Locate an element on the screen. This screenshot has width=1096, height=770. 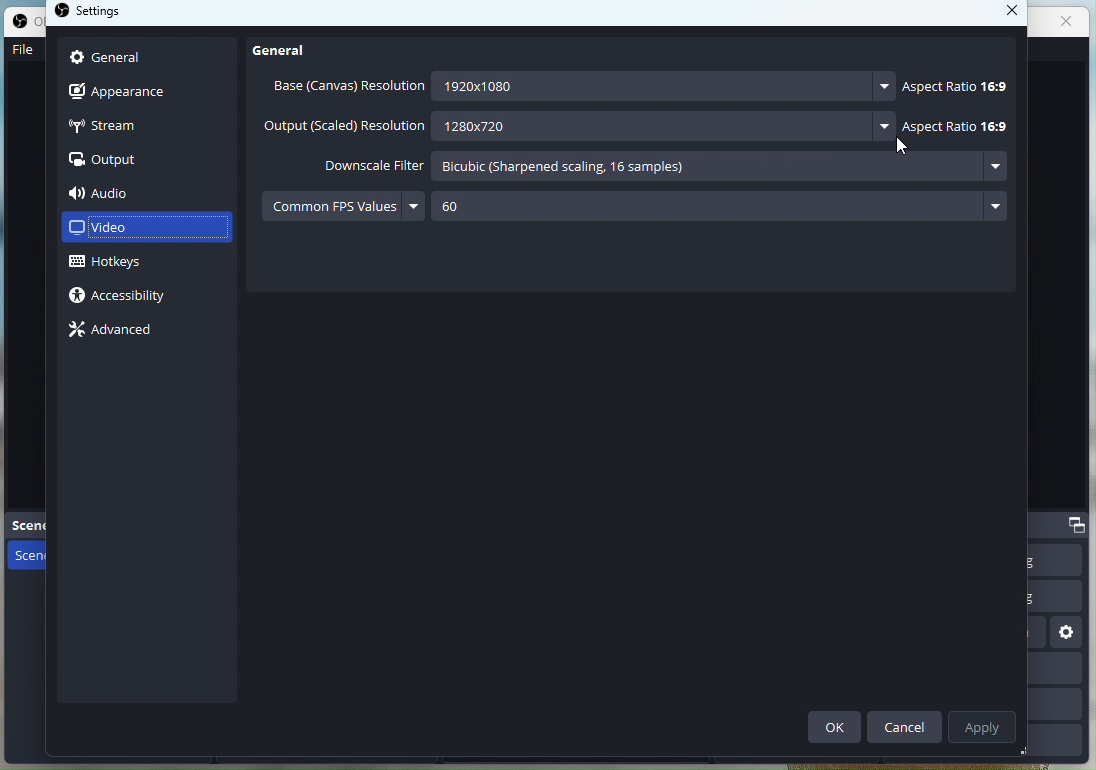
60 is located at coordinates (499, 206).